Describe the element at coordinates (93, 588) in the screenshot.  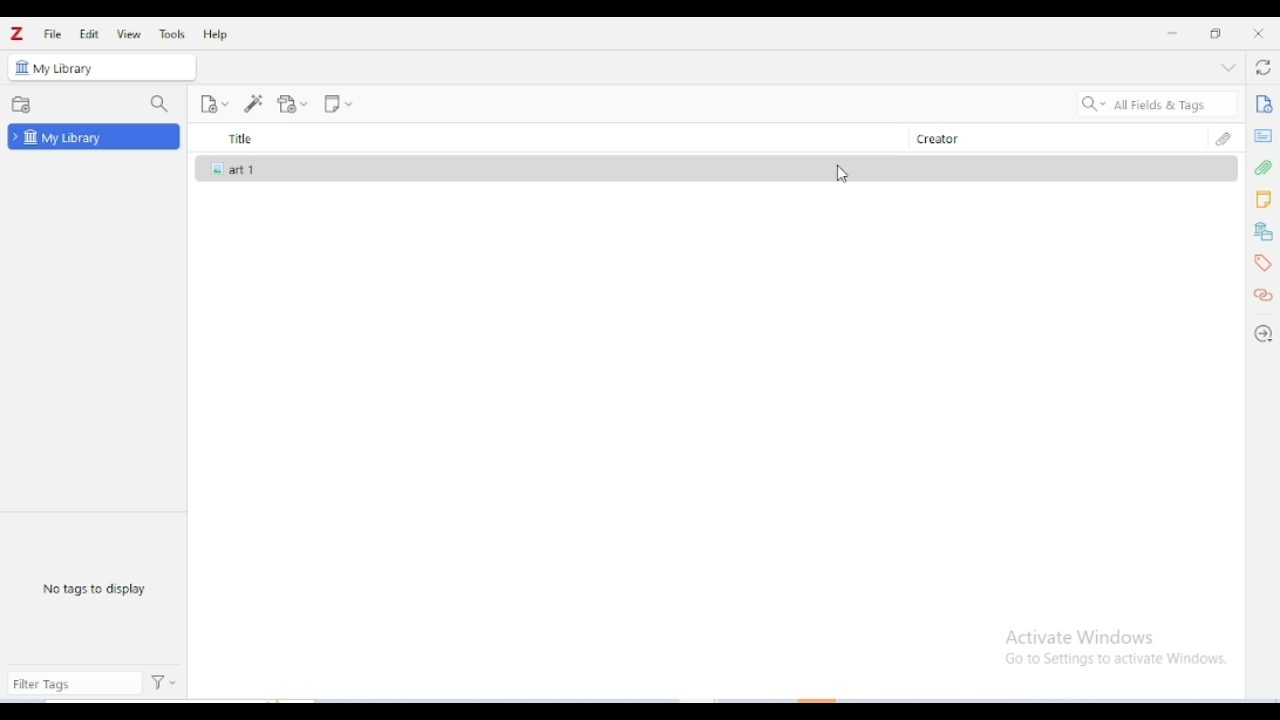
I see `no tags to display` at that location.